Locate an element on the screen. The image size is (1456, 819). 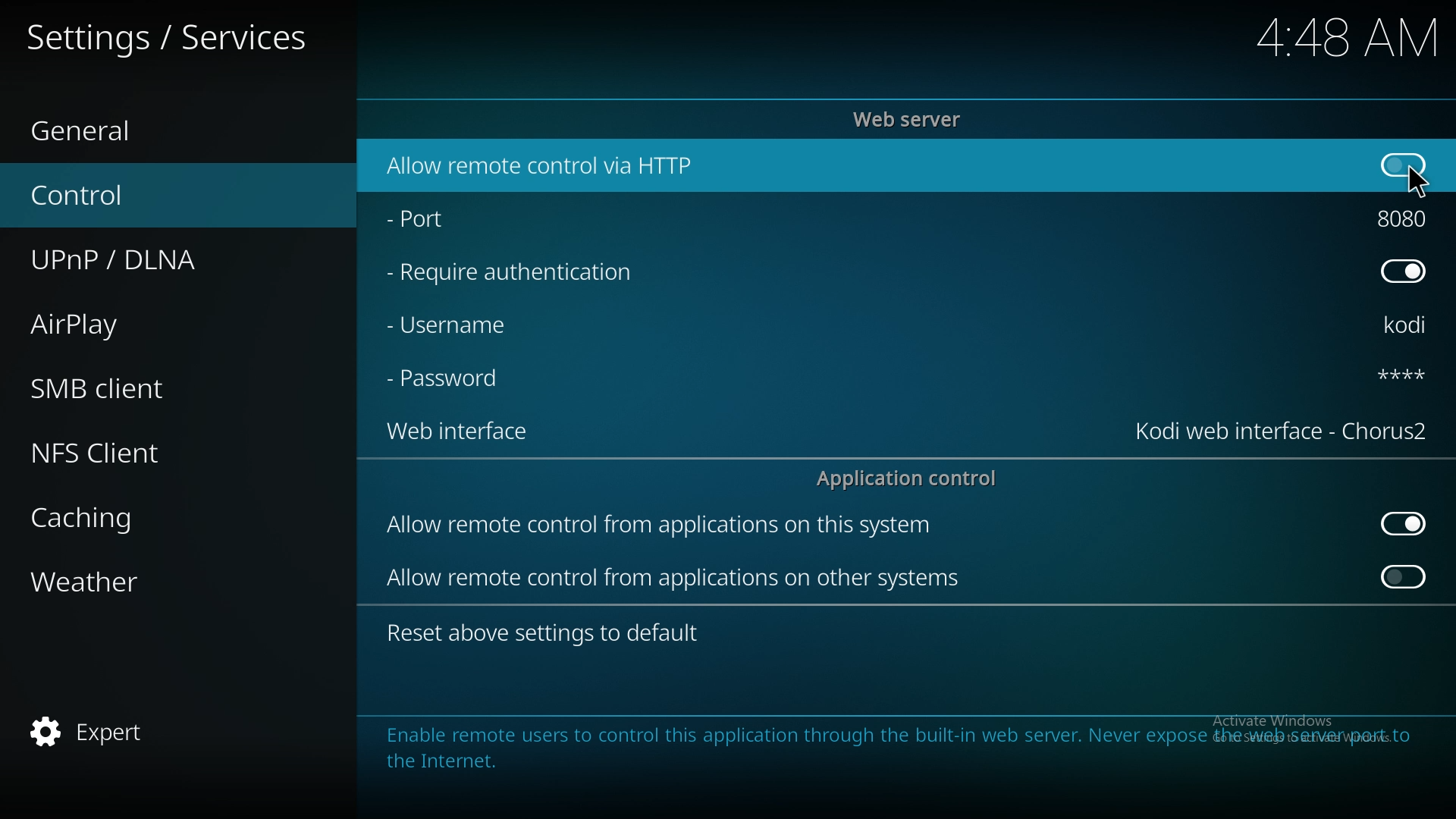
kodi web interface is located at coordinates (1281, 431).